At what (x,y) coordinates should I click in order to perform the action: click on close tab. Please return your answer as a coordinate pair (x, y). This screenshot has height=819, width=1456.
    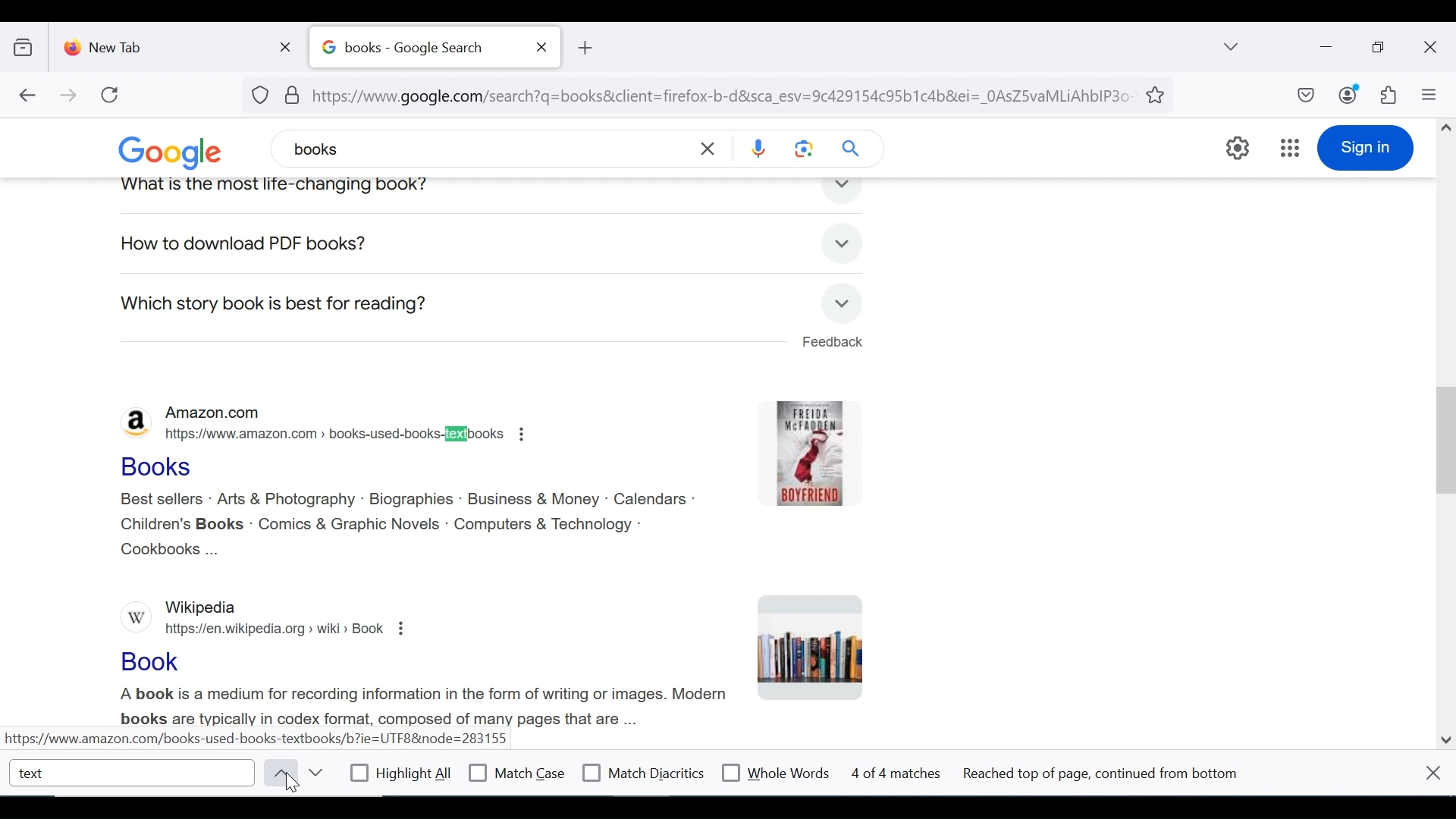
    Looking at the image, I should click on (542, 47).